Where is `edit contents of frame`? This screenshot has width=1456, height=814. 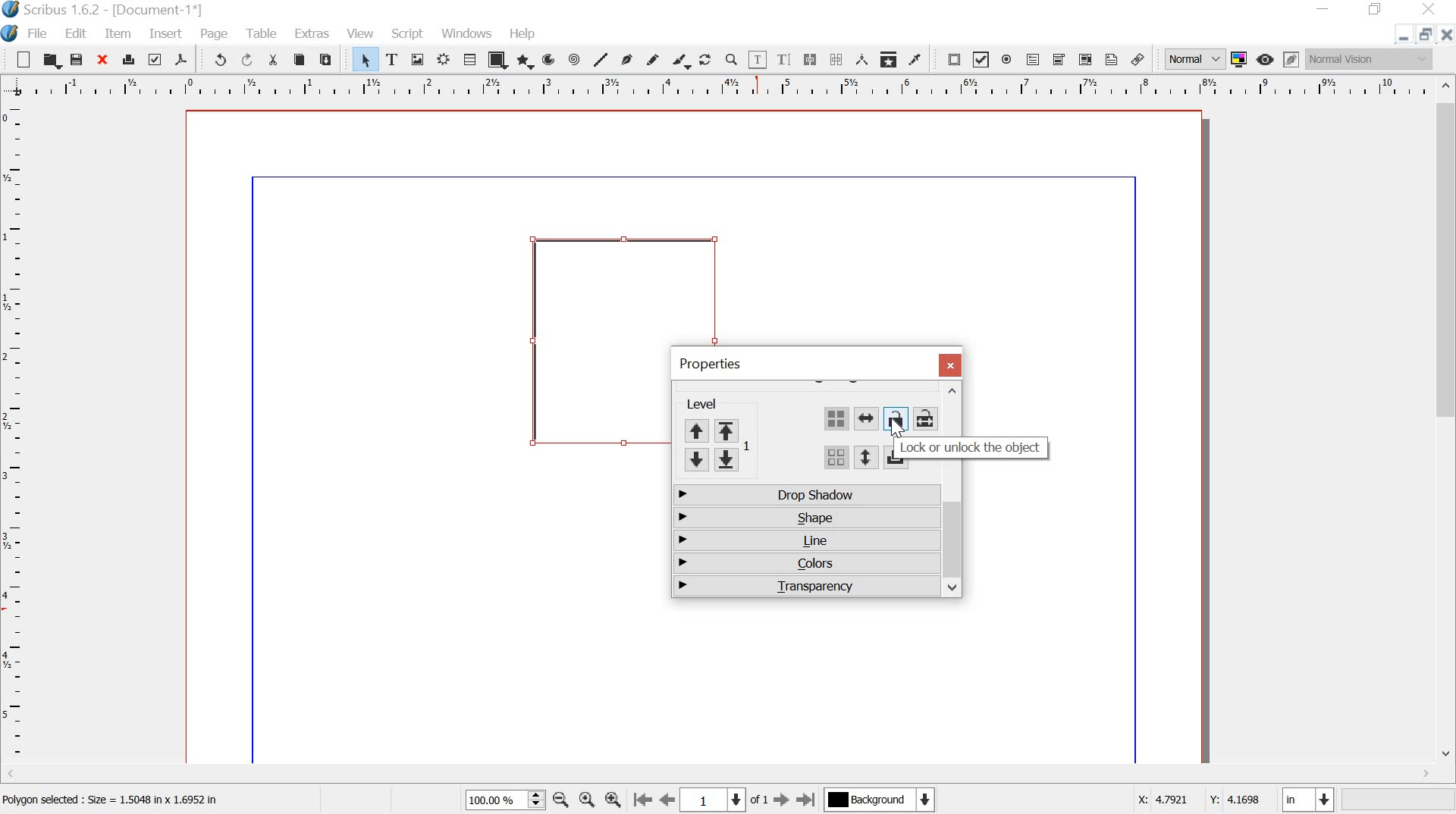 edit contents of frame is located at coordinates (757, 60).